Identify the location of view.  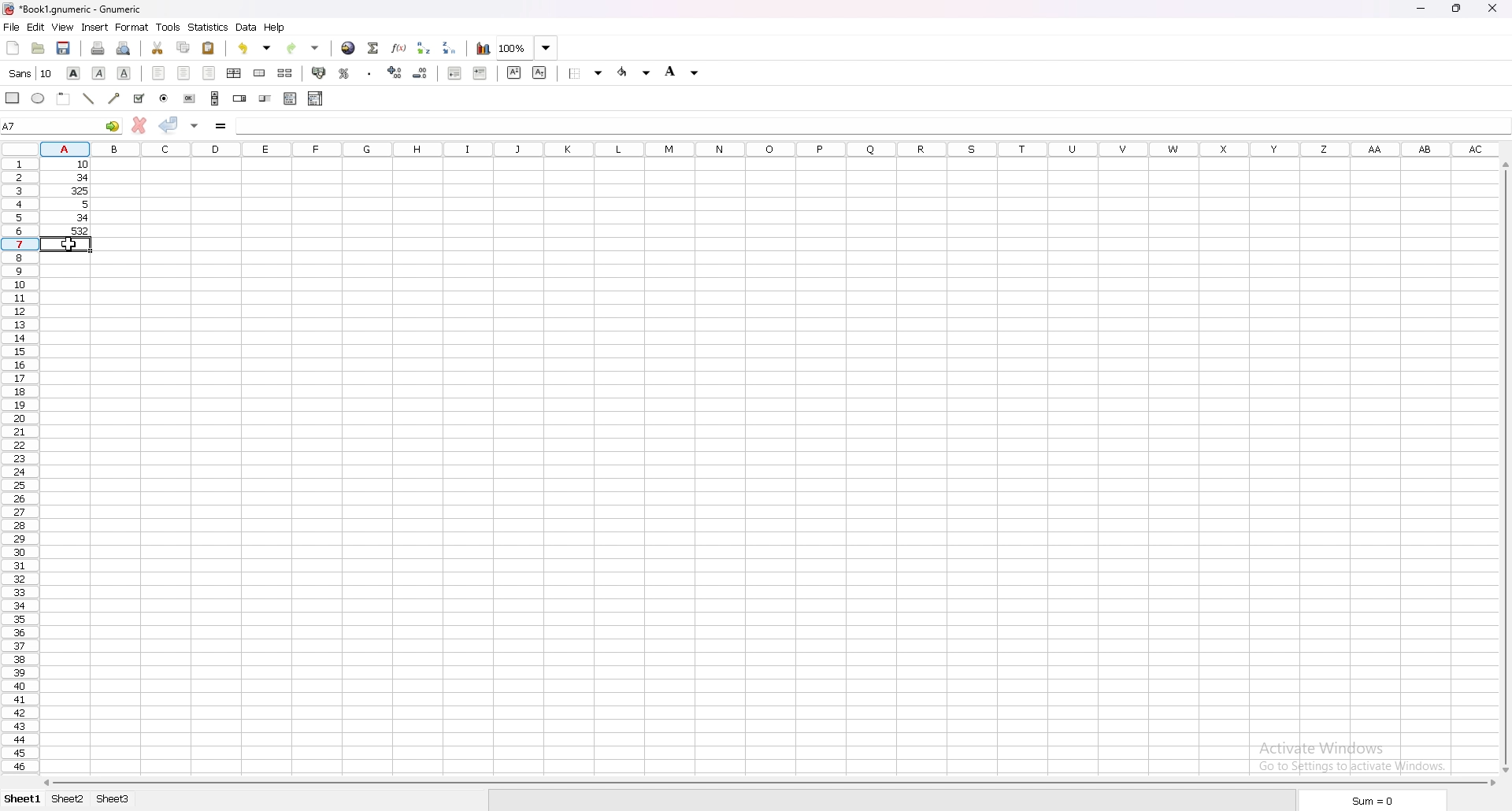
(62, 27).